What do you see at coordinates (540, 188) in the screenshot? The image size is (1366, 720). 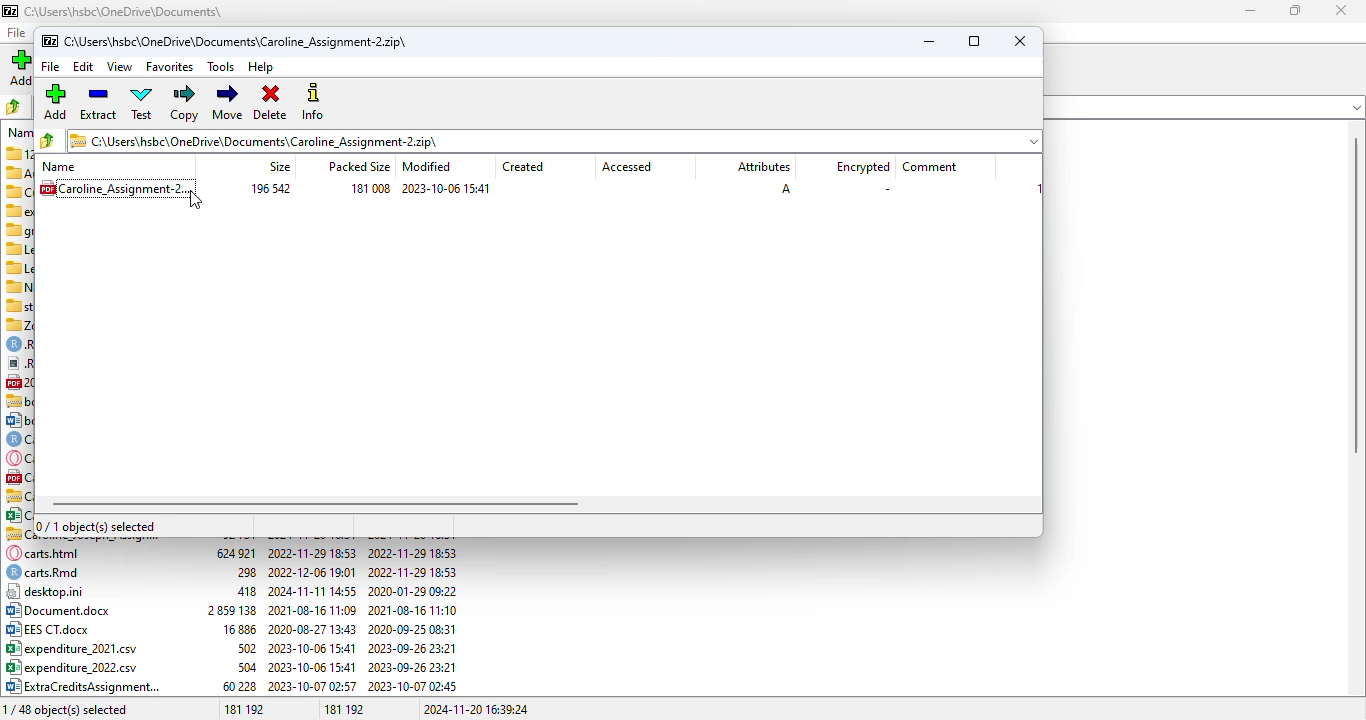 I see `.zip file` at bounding box center [540, 188].